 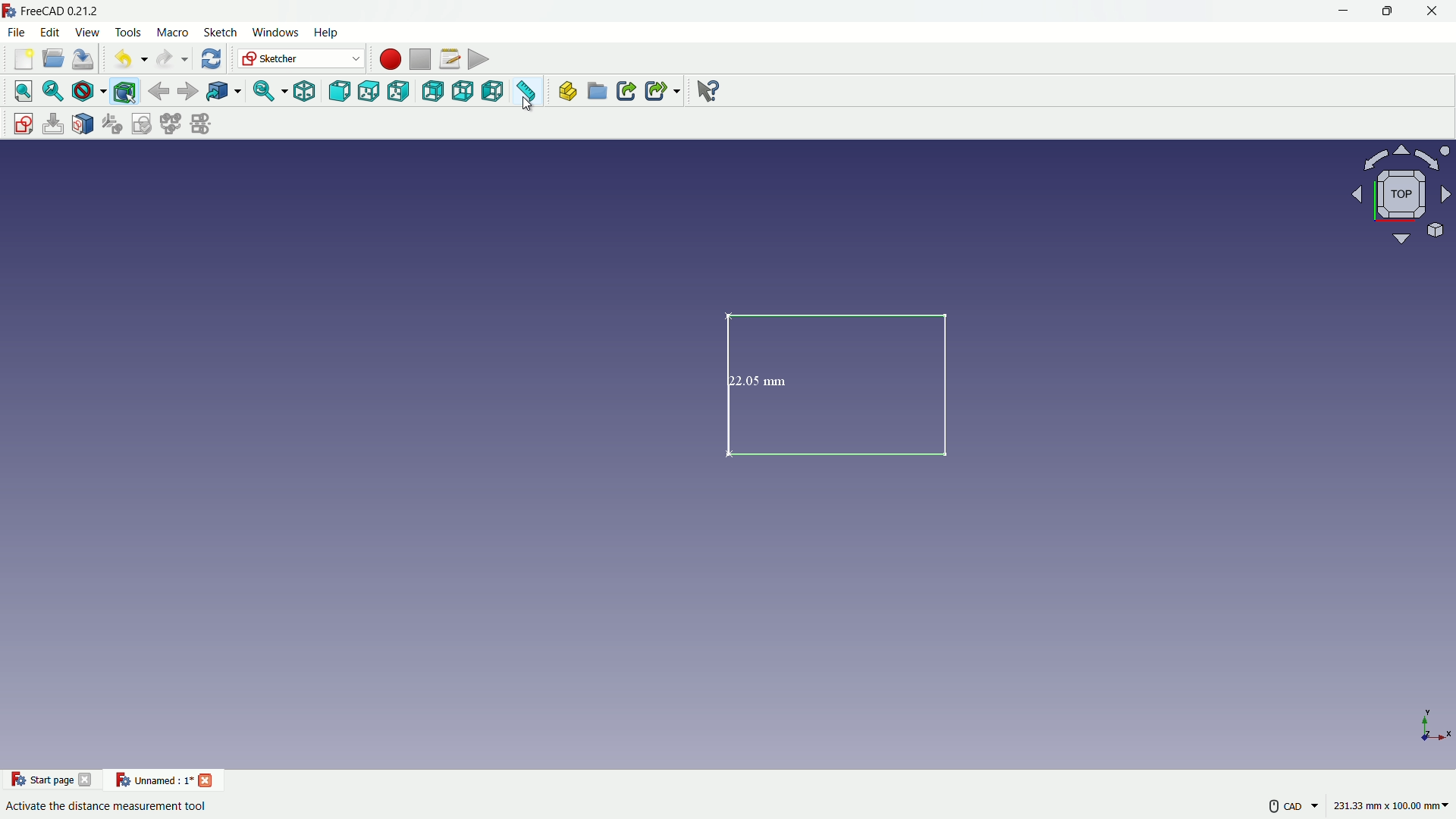 I want to click on map sketch to face, so click(x=83, y=124).